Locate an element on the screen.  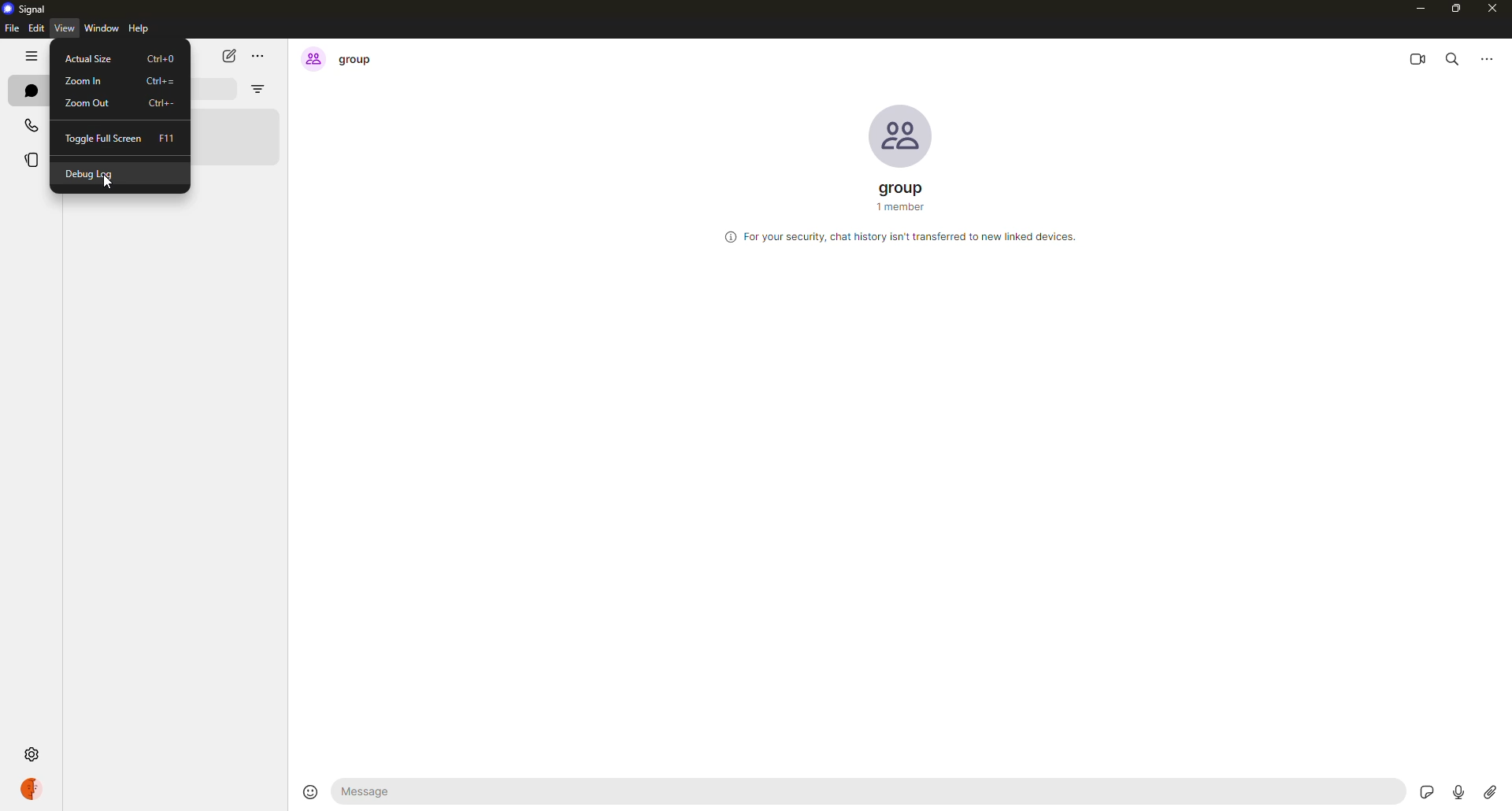
settings is located at coordinates (31, 754).